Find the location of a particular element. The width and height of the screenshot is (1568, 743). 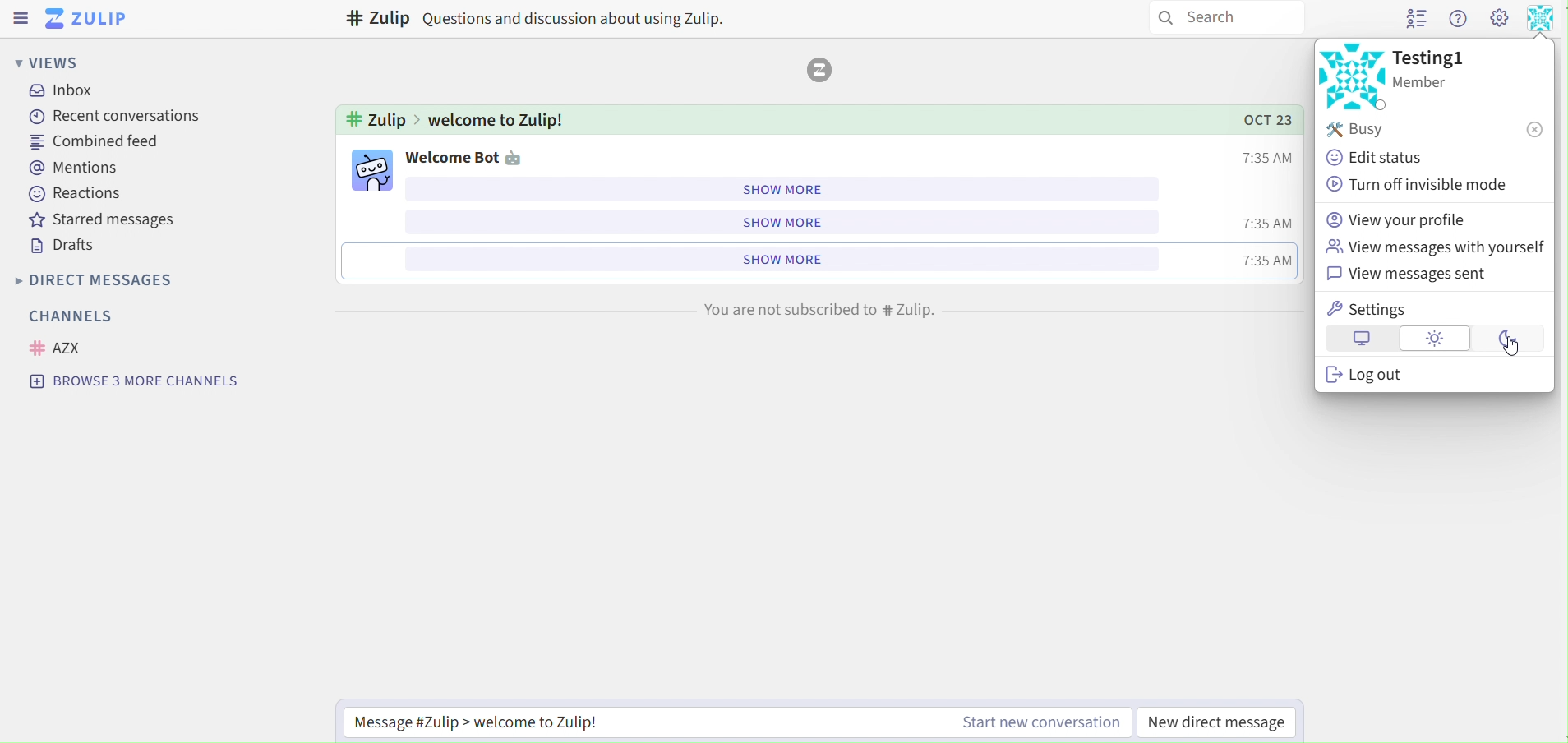

image is located at coordinates (1351, 76).